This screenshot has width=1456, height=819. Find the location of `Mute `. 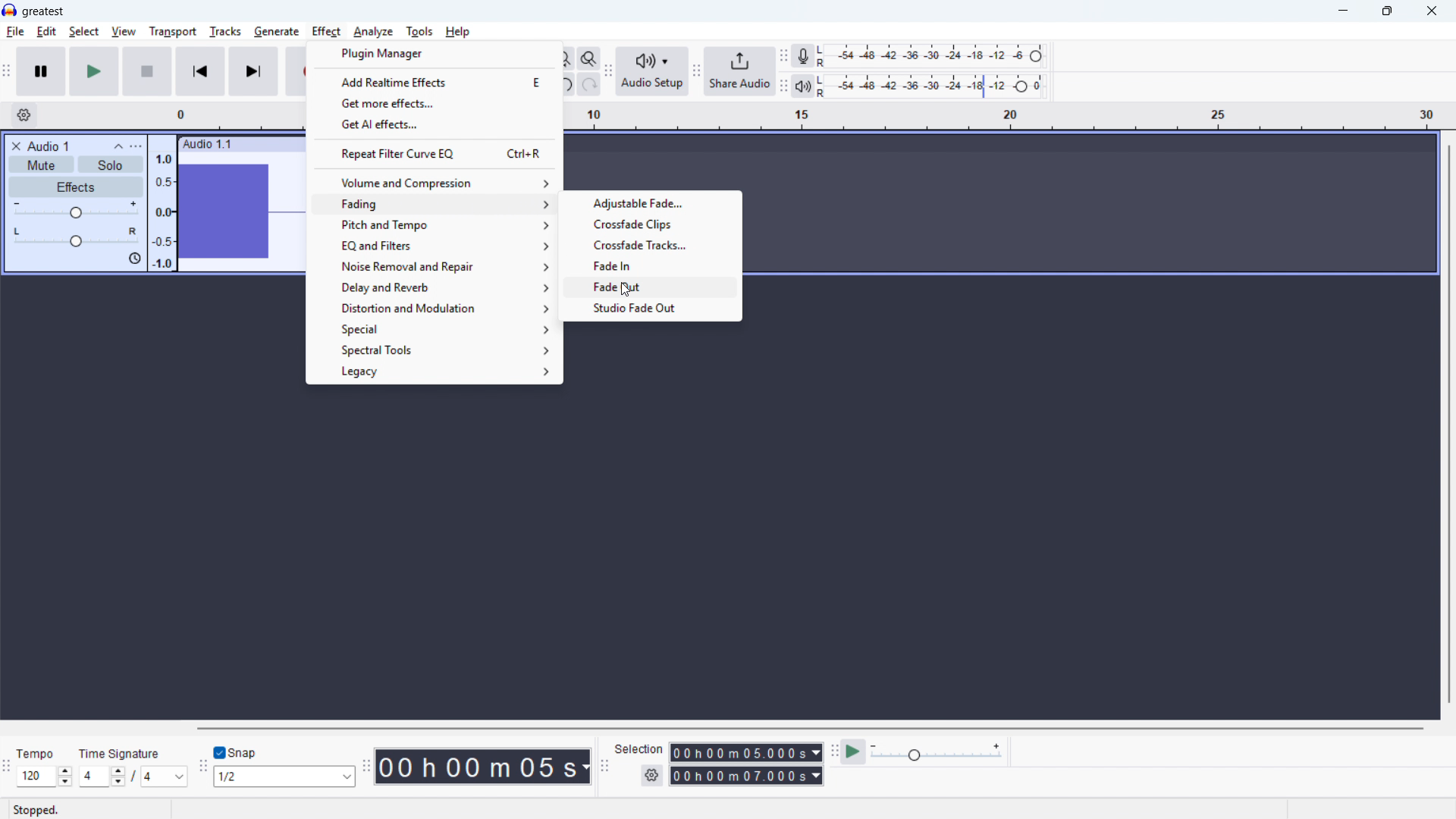

Mute  is located at coordinates (41, 164).